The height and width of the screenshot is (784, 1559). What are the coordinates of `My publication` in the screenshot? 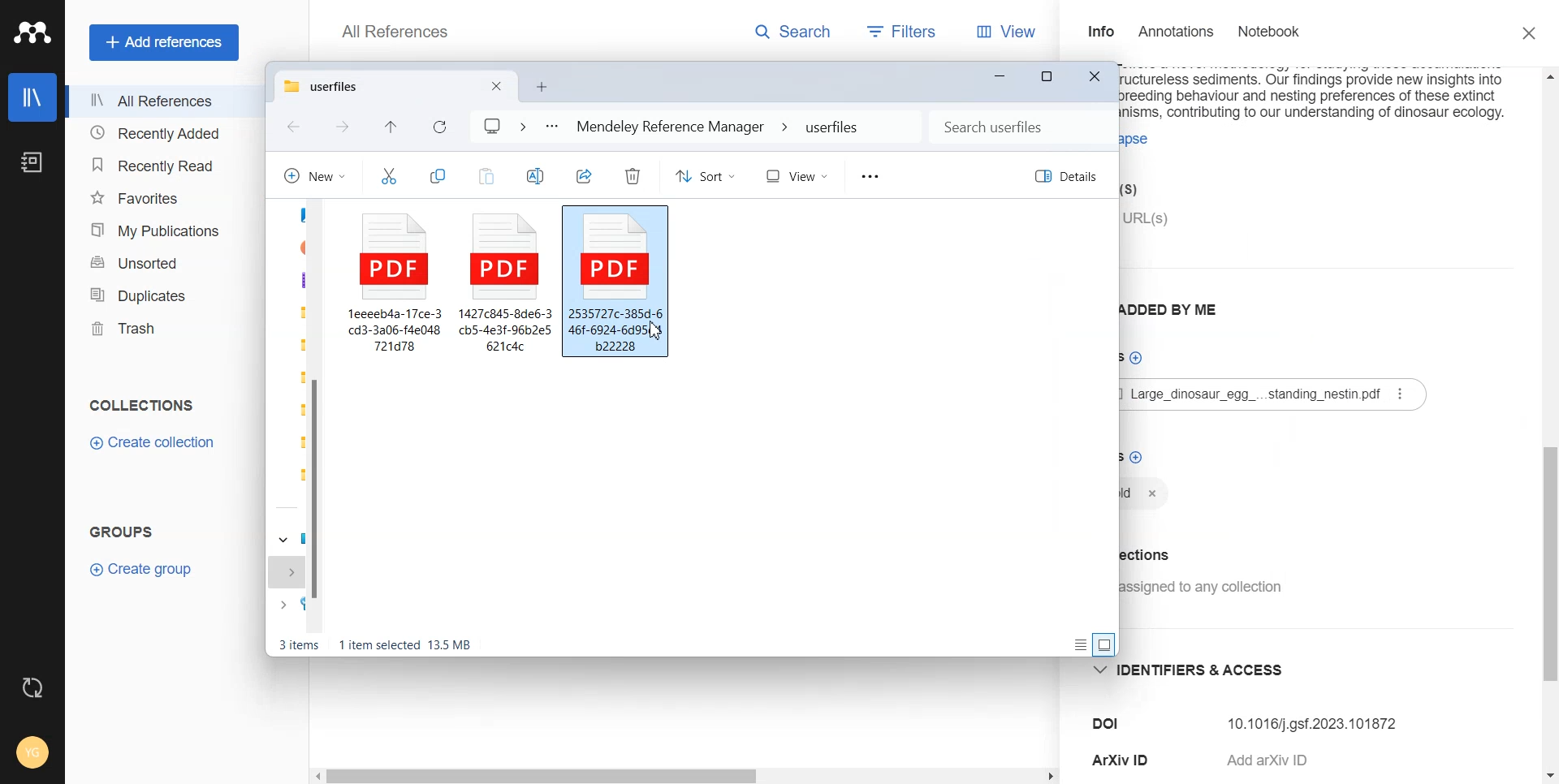 It's located at (166, 230).